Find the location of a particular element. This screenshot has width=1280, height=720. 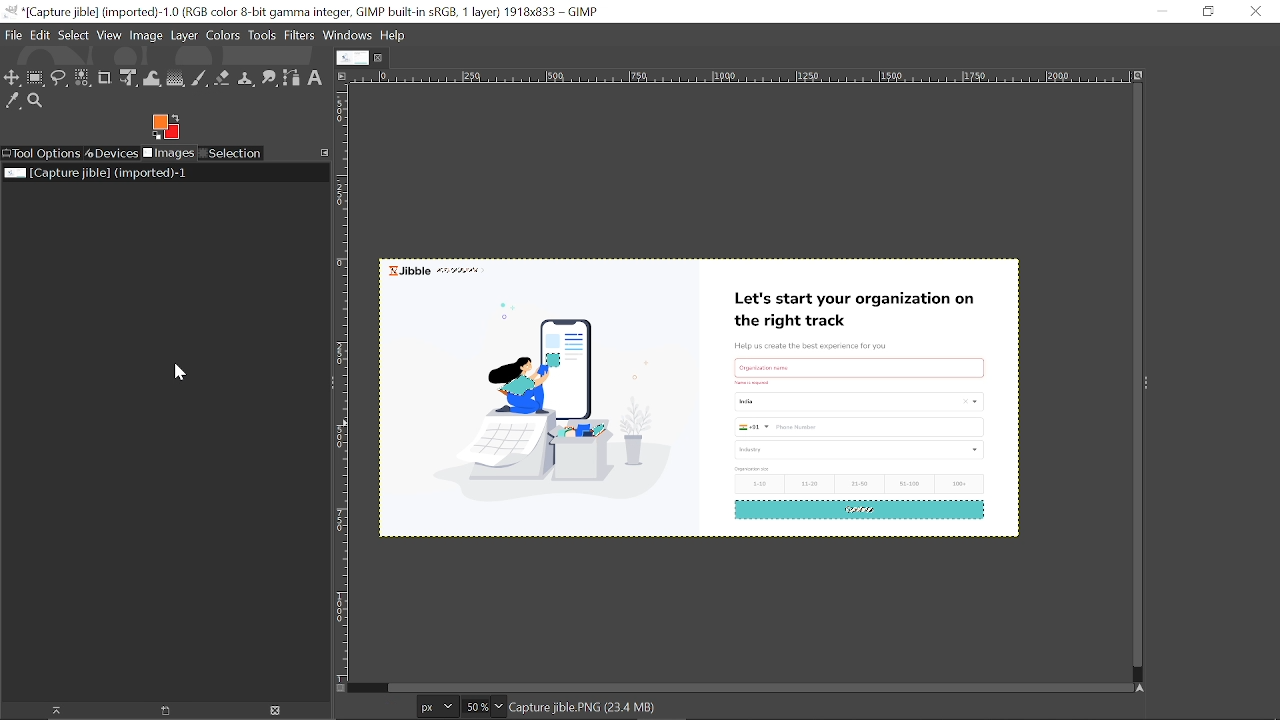

Vertical label is located at coordinates (346, 384).